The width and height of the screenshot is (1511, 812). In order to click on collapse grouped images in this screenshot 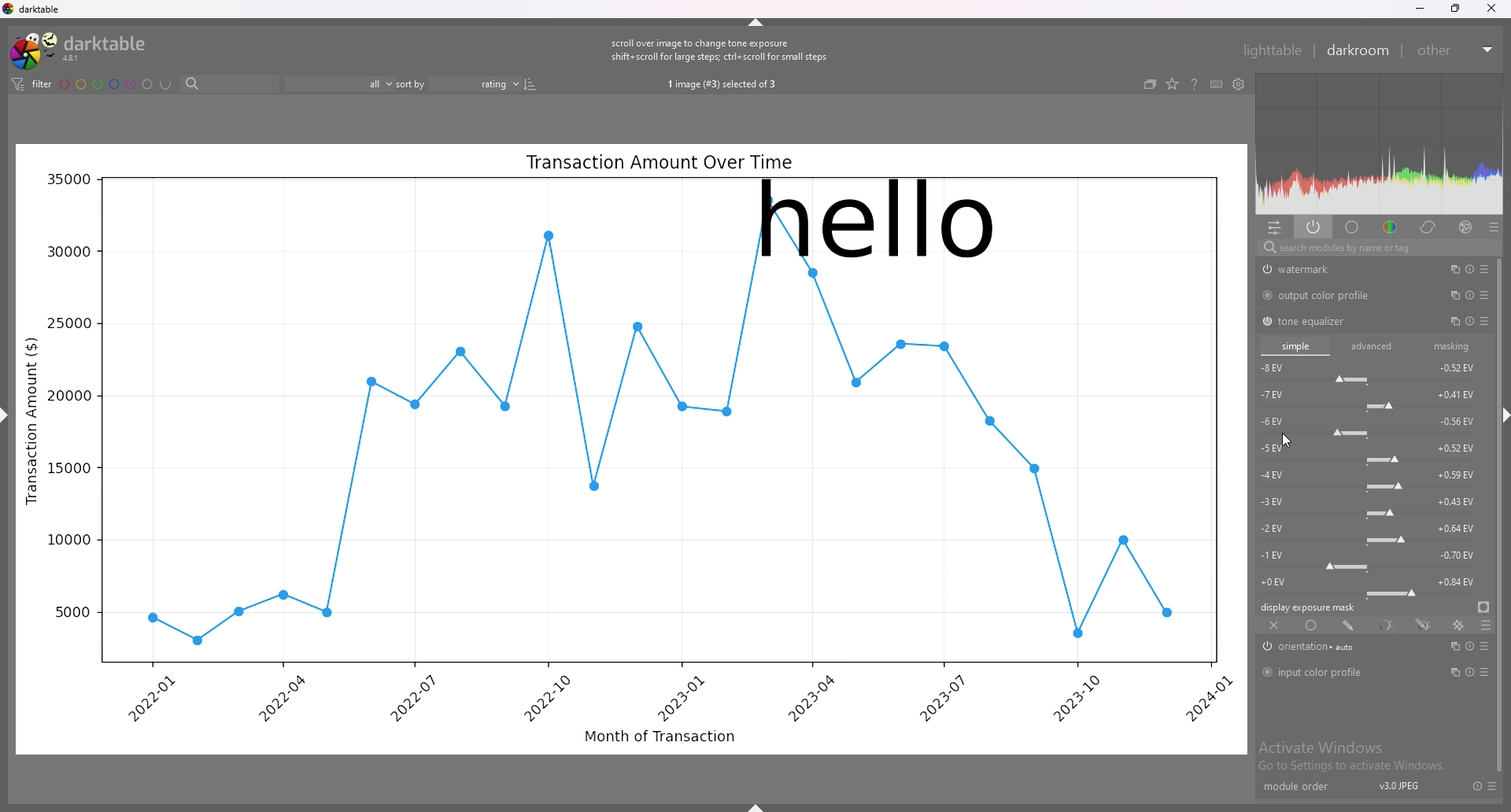, I will do `click(1150, 84)`.